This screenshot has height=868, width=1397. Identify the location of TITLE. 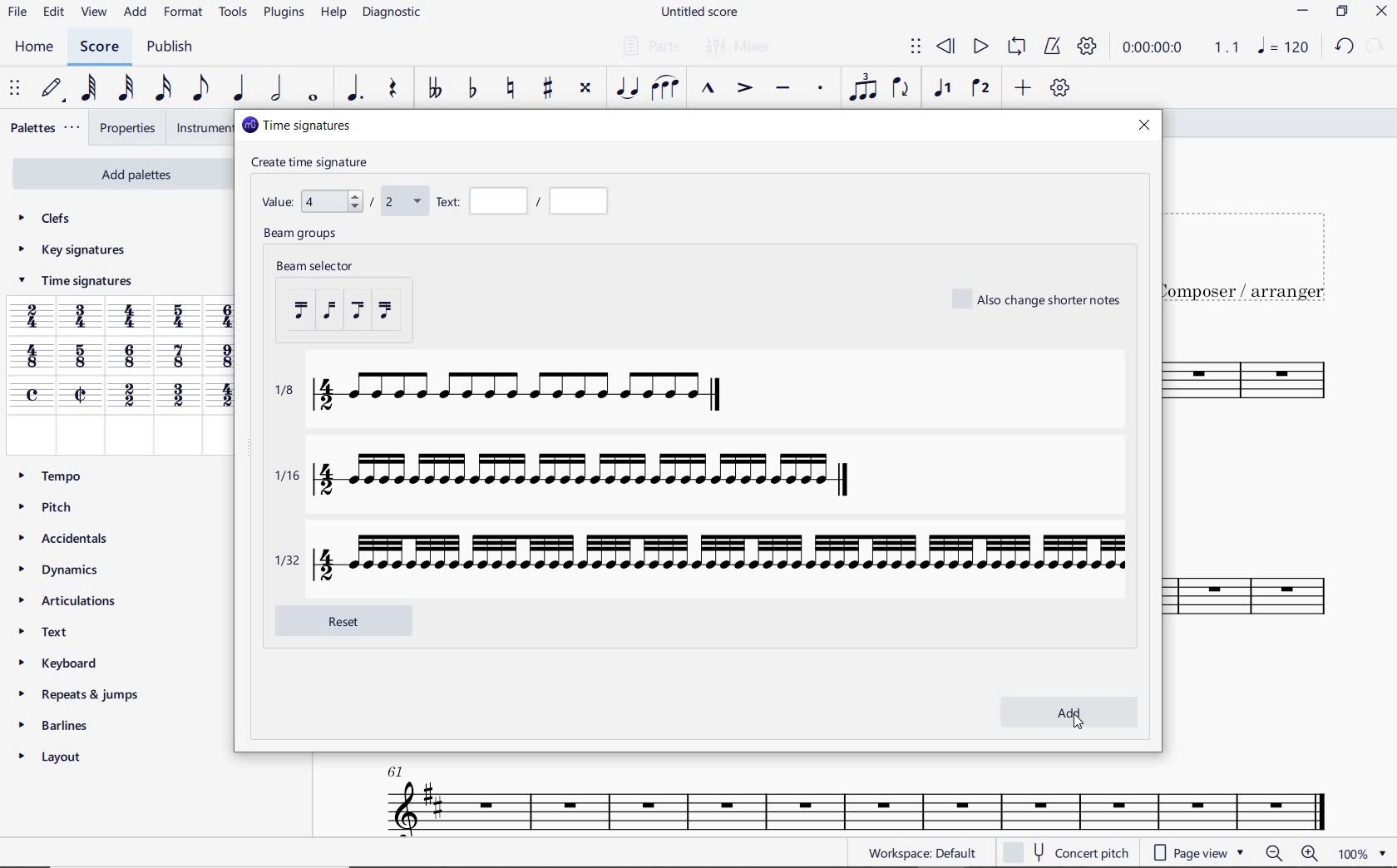
(1256, 248).